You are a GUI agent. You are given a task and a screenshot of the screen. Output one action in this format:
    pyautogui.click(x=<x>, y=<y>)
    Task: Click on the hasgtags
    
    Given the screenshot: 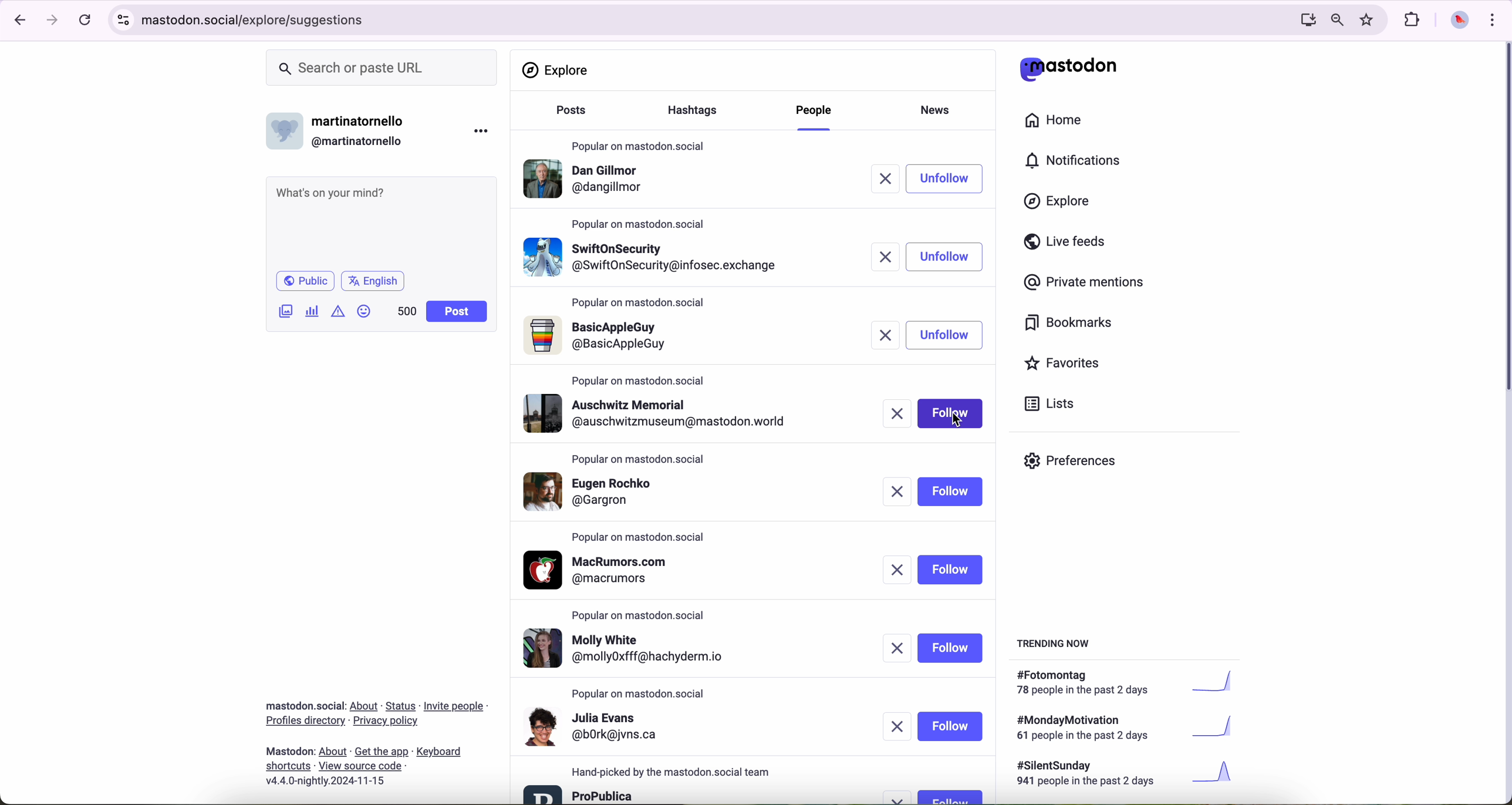 What is the action you would take?
    pyautogui.click(x=699, y=112)
    